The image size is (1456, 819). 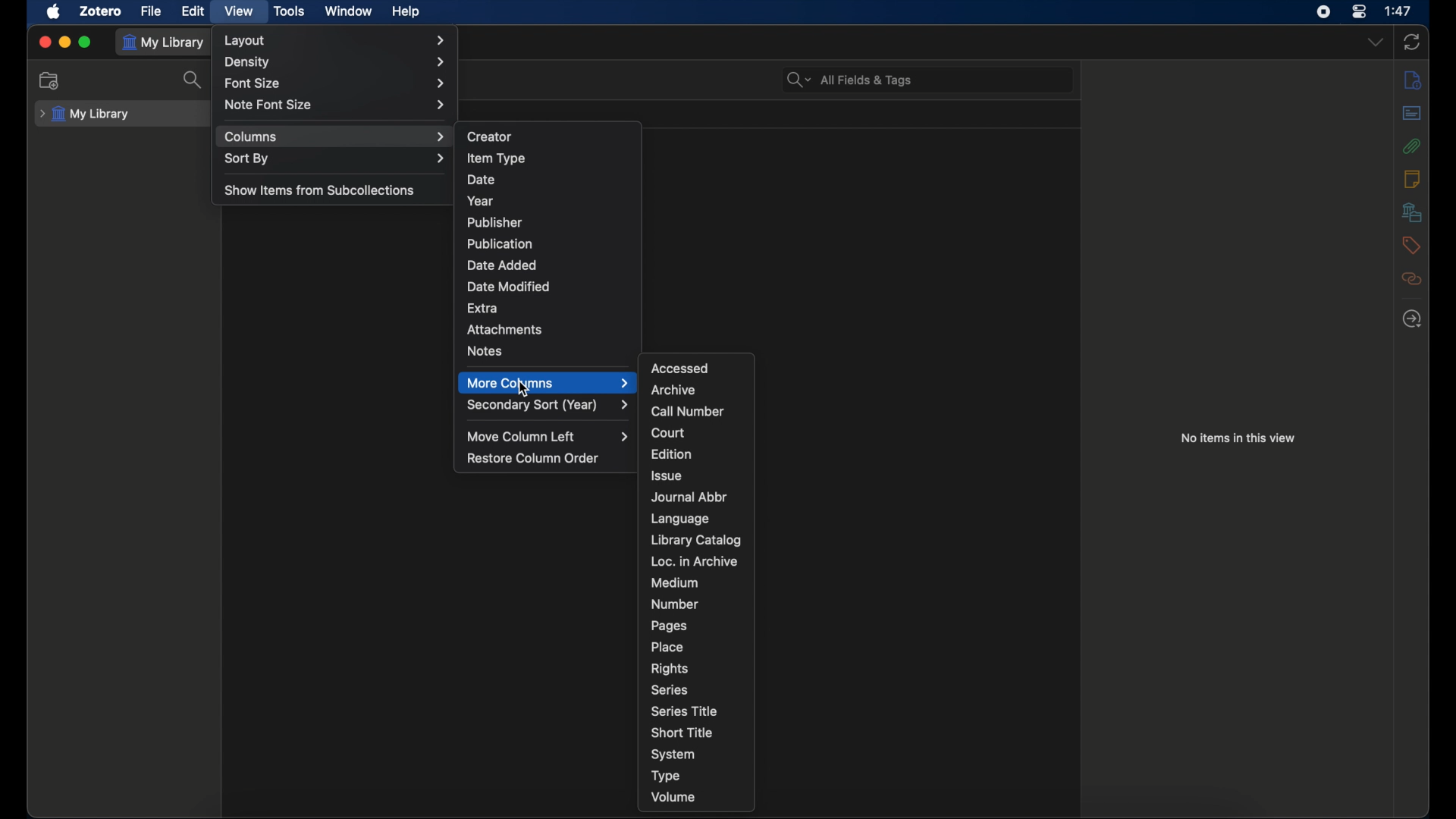 I want to click on rights, so click(x=669, y=670).